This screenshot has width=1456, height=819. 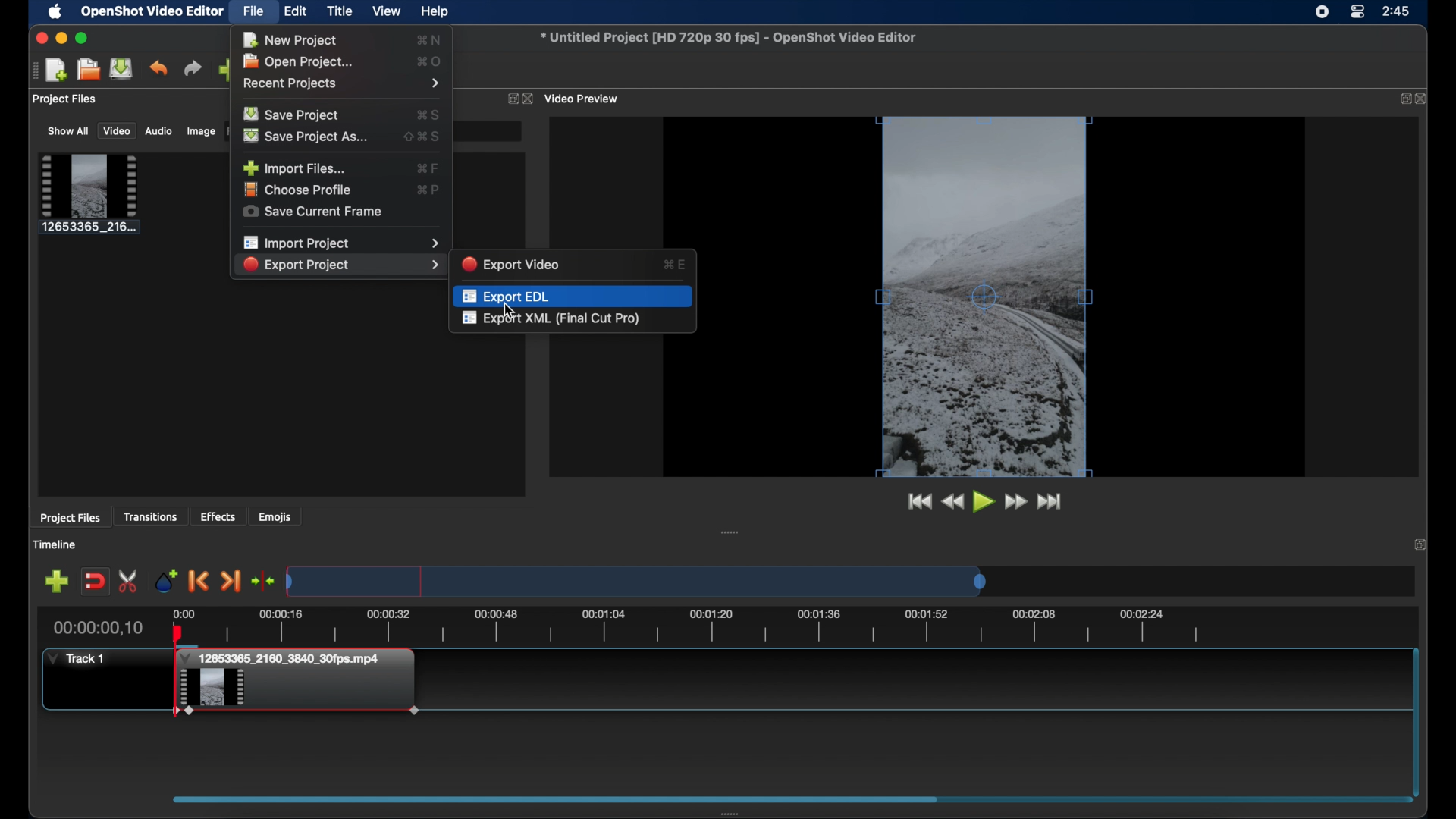 What do you see at coordinates (344, 84) in the screenshot?
I see `recent projects menu` at bounding box center [344, 84].